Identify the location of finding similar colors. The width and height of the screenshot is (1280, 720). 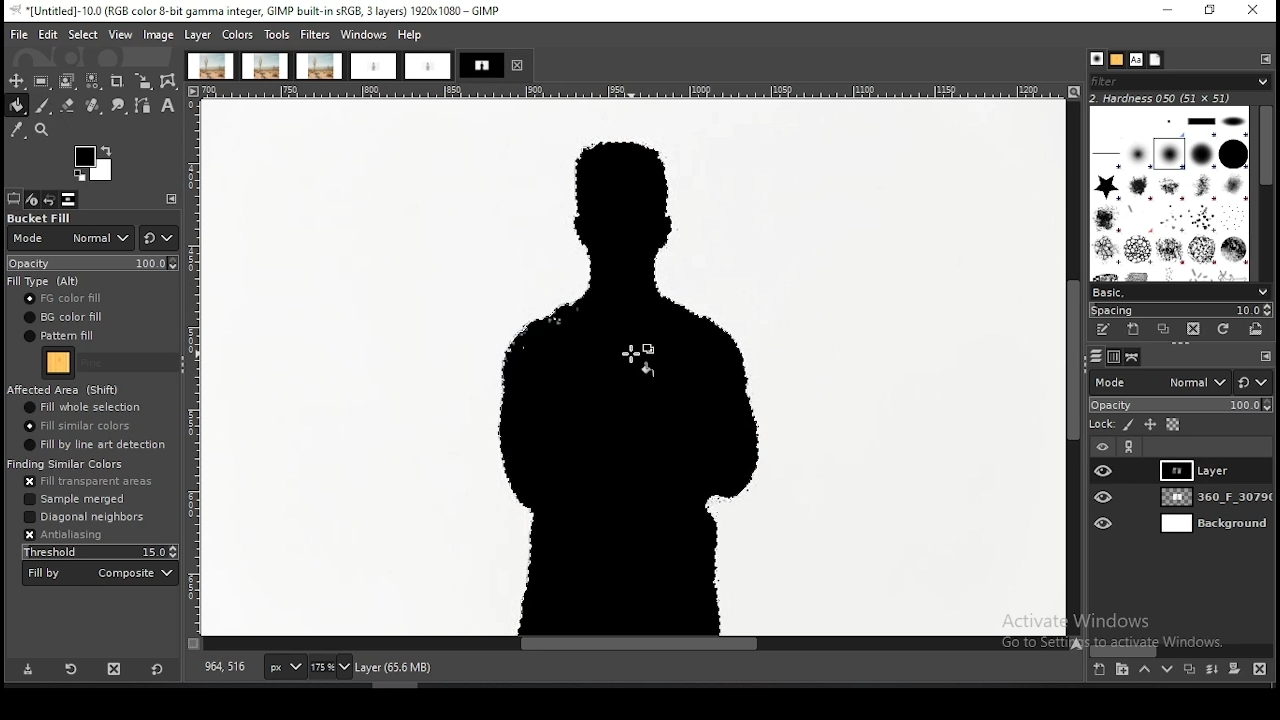
(67, 463).